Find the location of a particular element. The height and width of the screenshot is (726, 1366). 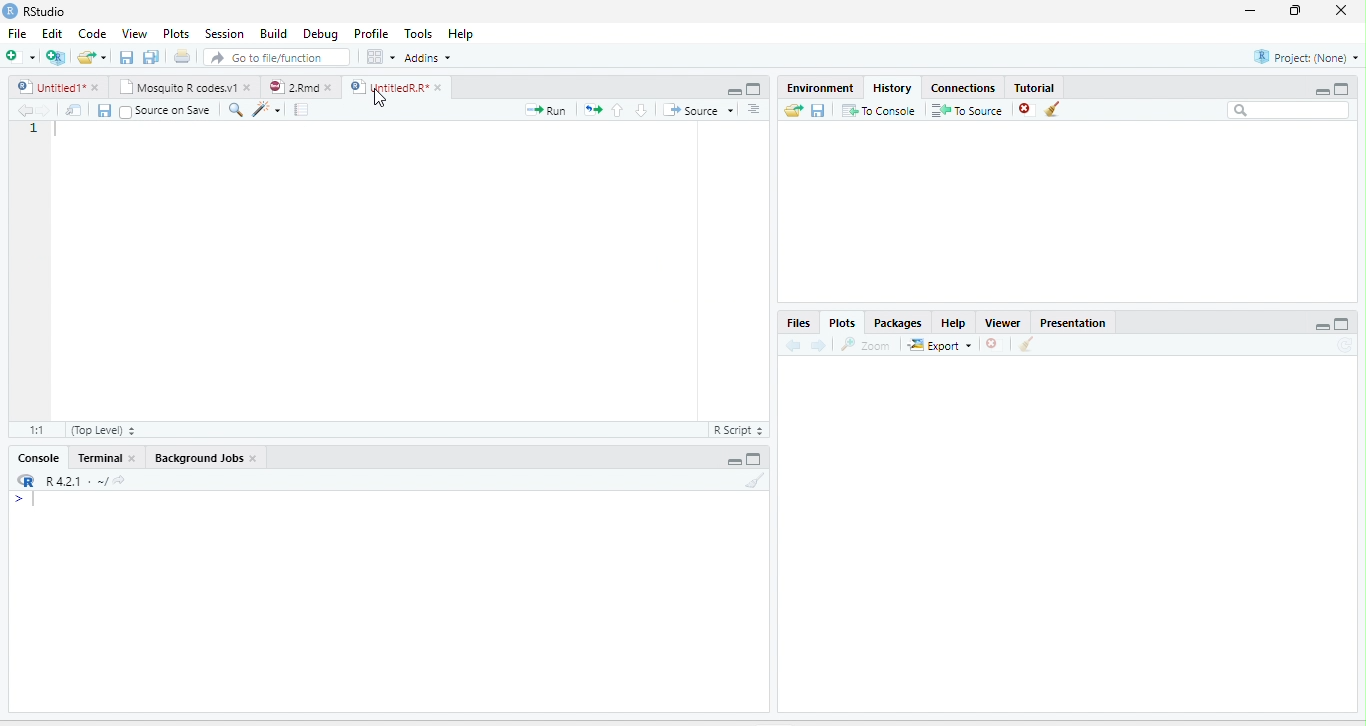

Remove the selected history entries is located at coordinates (1026, 109).